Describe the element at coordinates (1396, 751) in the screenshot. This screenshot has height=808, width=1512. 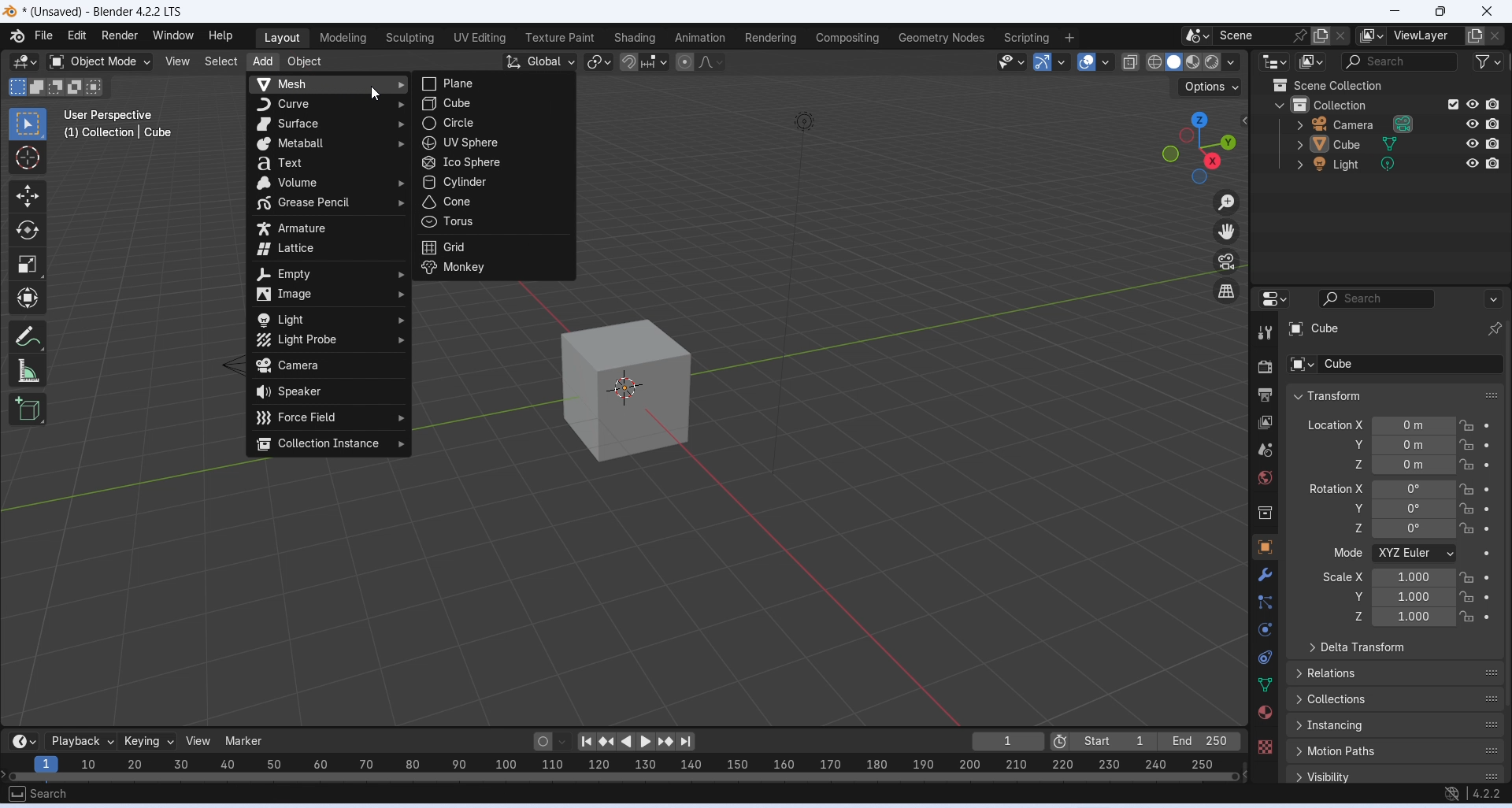
I see `motion paths` at that location.